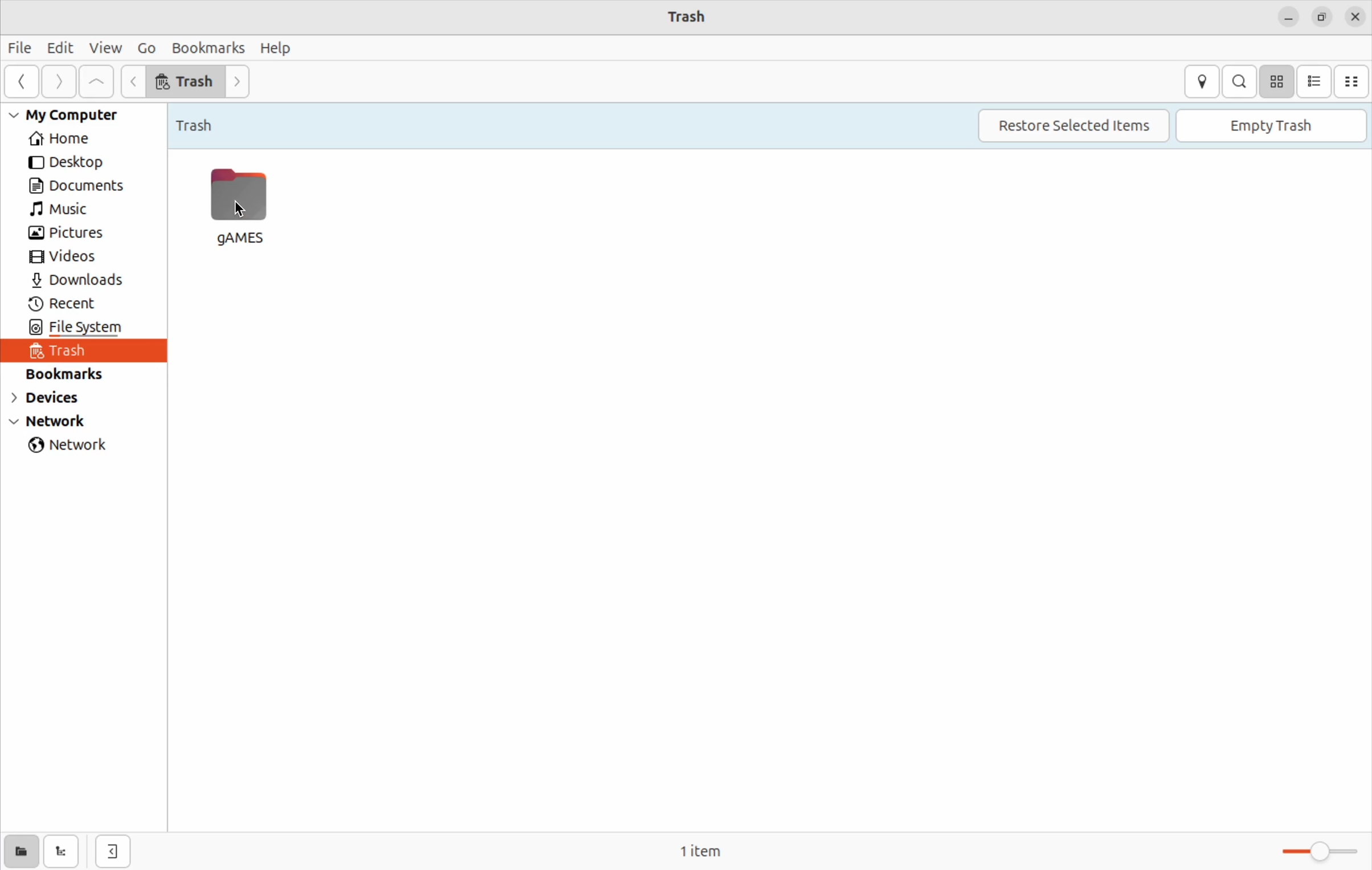 The width and height of the screenshot is (1372, 870). What do you see at coordinates (21, 851) in the screenshot?
I see `show places` at bounding box center [21, 851].